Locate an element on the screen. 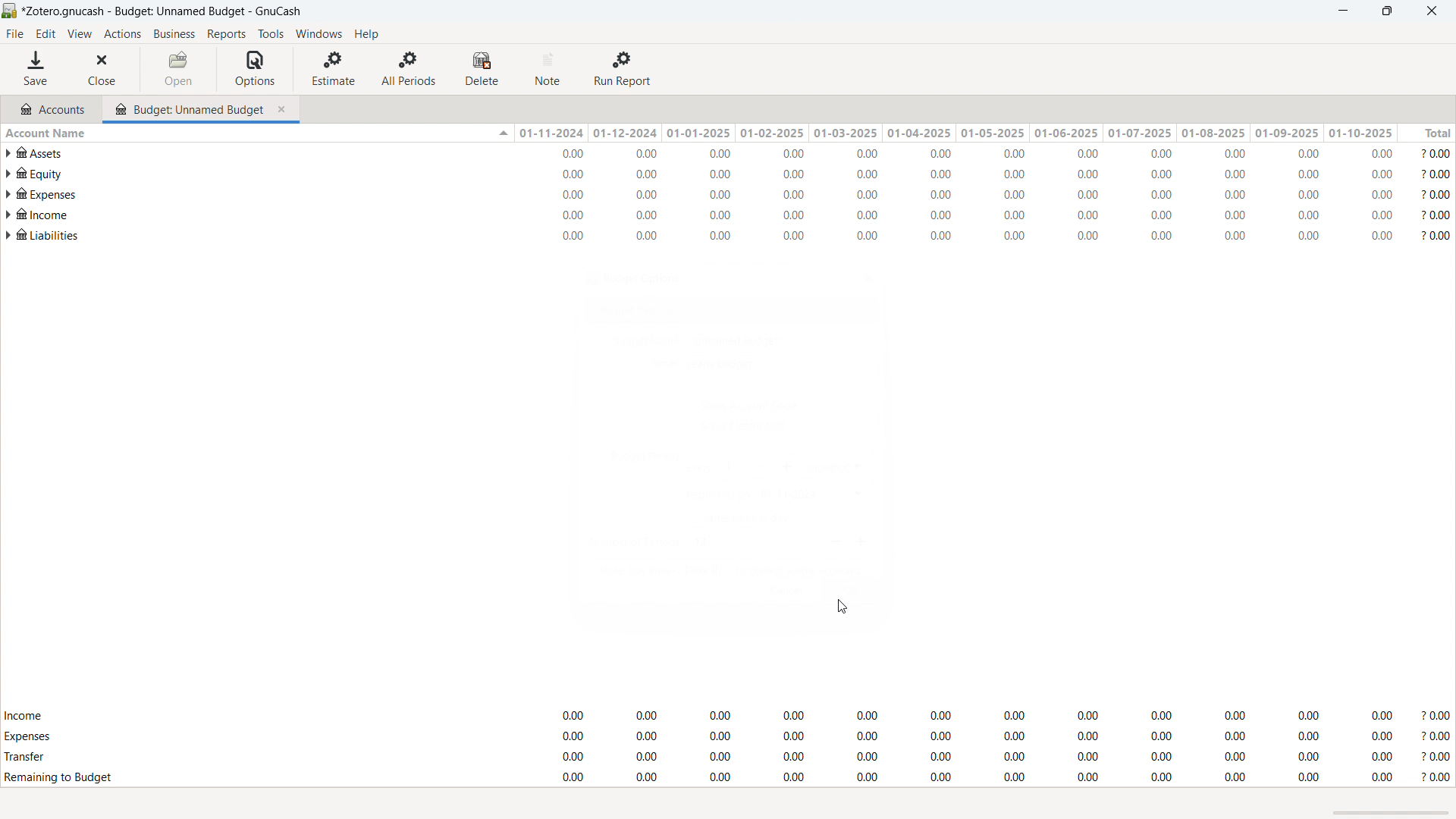  business is located at coordinates (174, 34).